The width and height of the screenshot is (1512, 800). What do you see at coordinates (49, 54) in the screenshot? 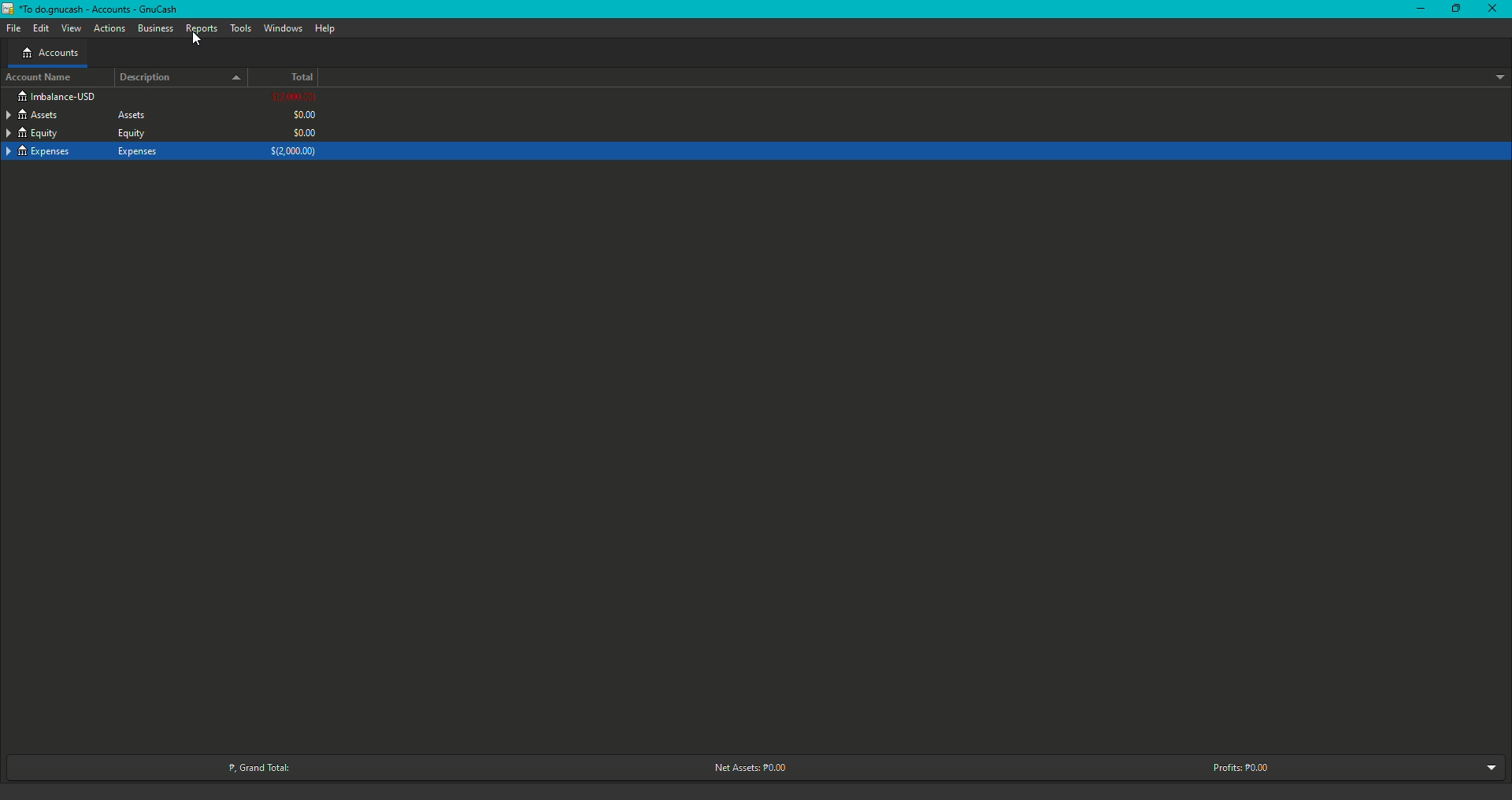
I see `Accounts` at bounding box center [49, 54].